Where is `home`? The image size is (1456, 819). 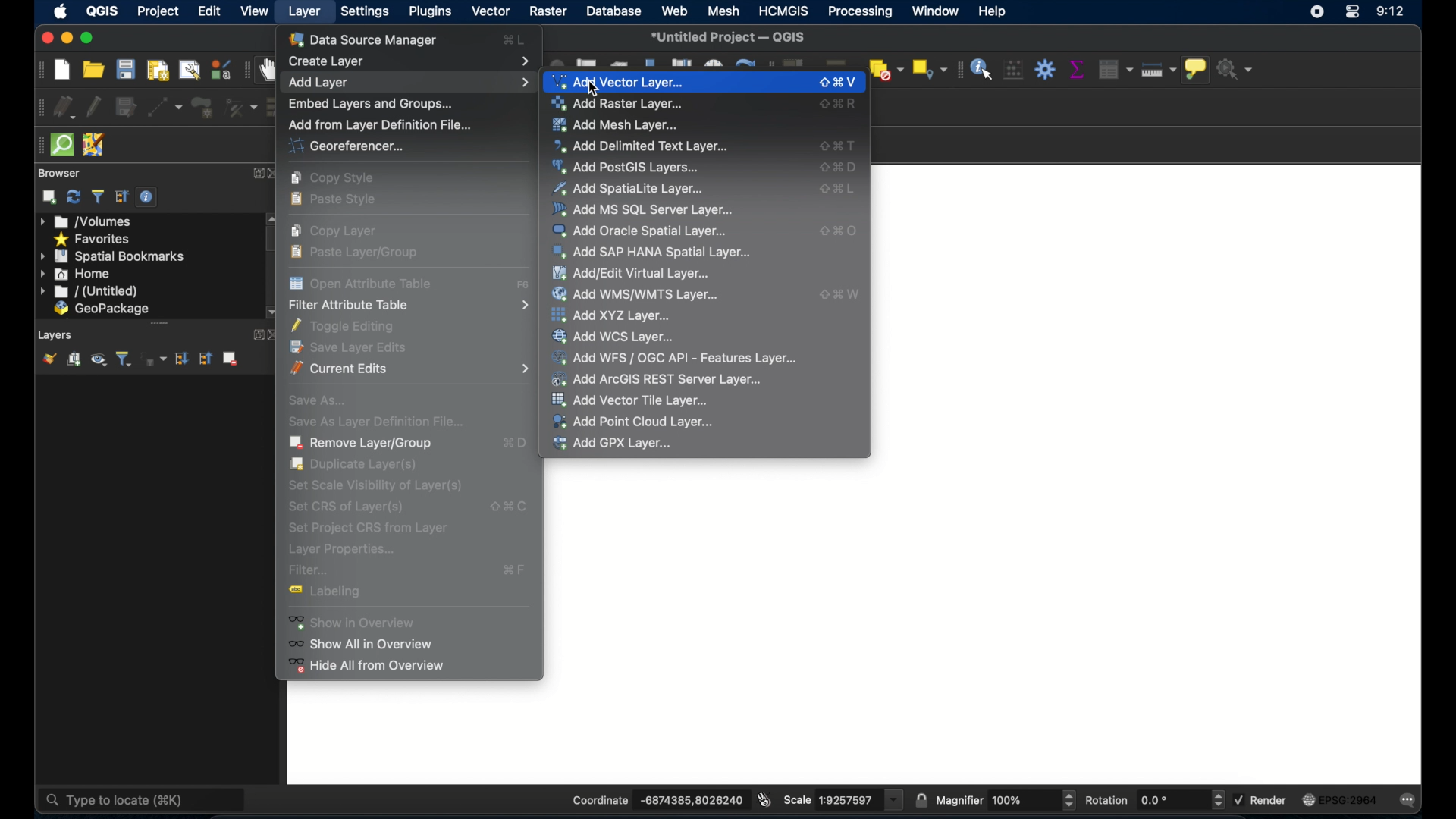
home is located at coordinates (77, 274).